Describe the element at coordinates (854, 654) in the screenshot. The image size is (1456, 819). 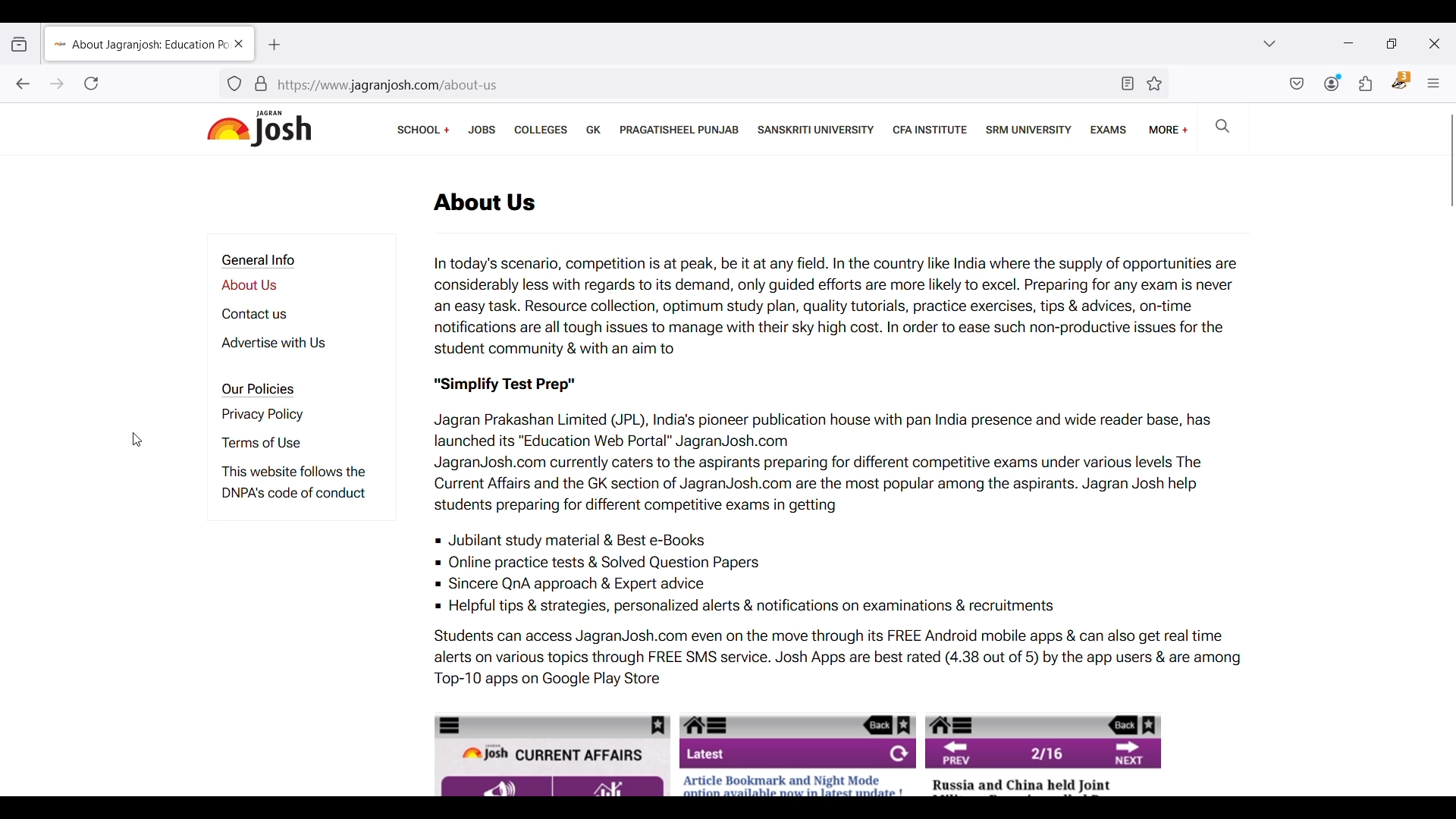
I see `Students can access JagranJosh.com even on the move through its FREE Android mobile apps & can also get real time
alerts on various topics through FREE SMS service. Josh Apps are best rated (4.38 out of 5) by the app users & are among
Top-10 apps on Google Play Store` at that location.